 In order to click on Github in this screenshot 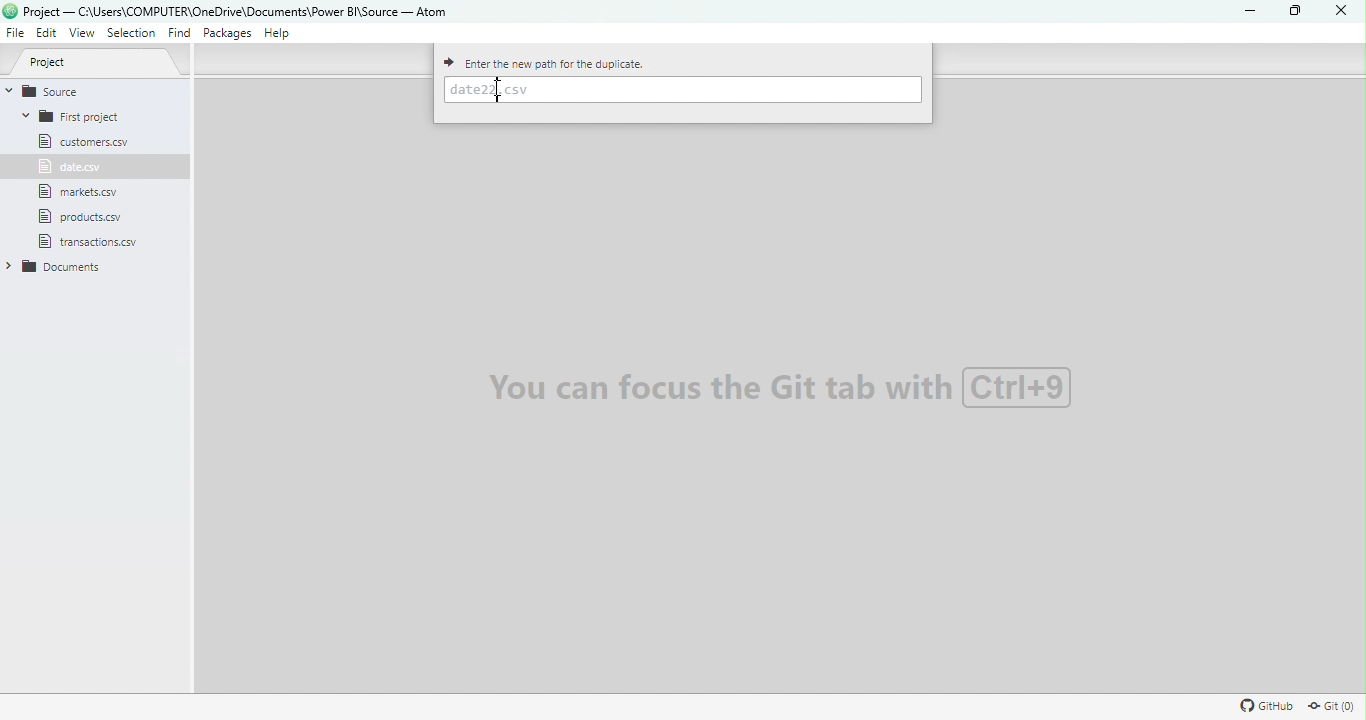, I will do `click(1263, 705)`.